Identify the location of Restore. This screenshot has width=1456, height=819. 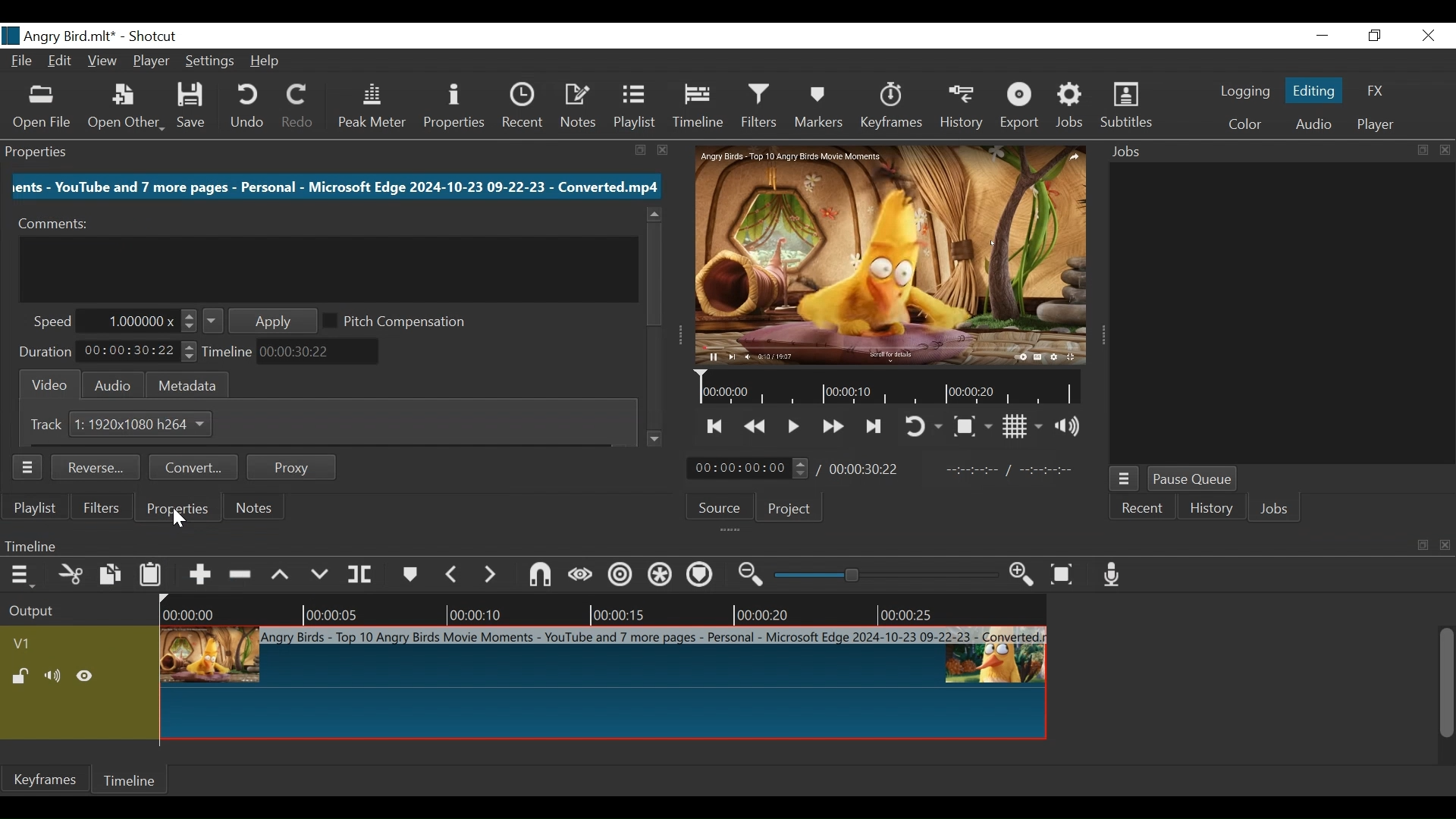
(1372, 36).